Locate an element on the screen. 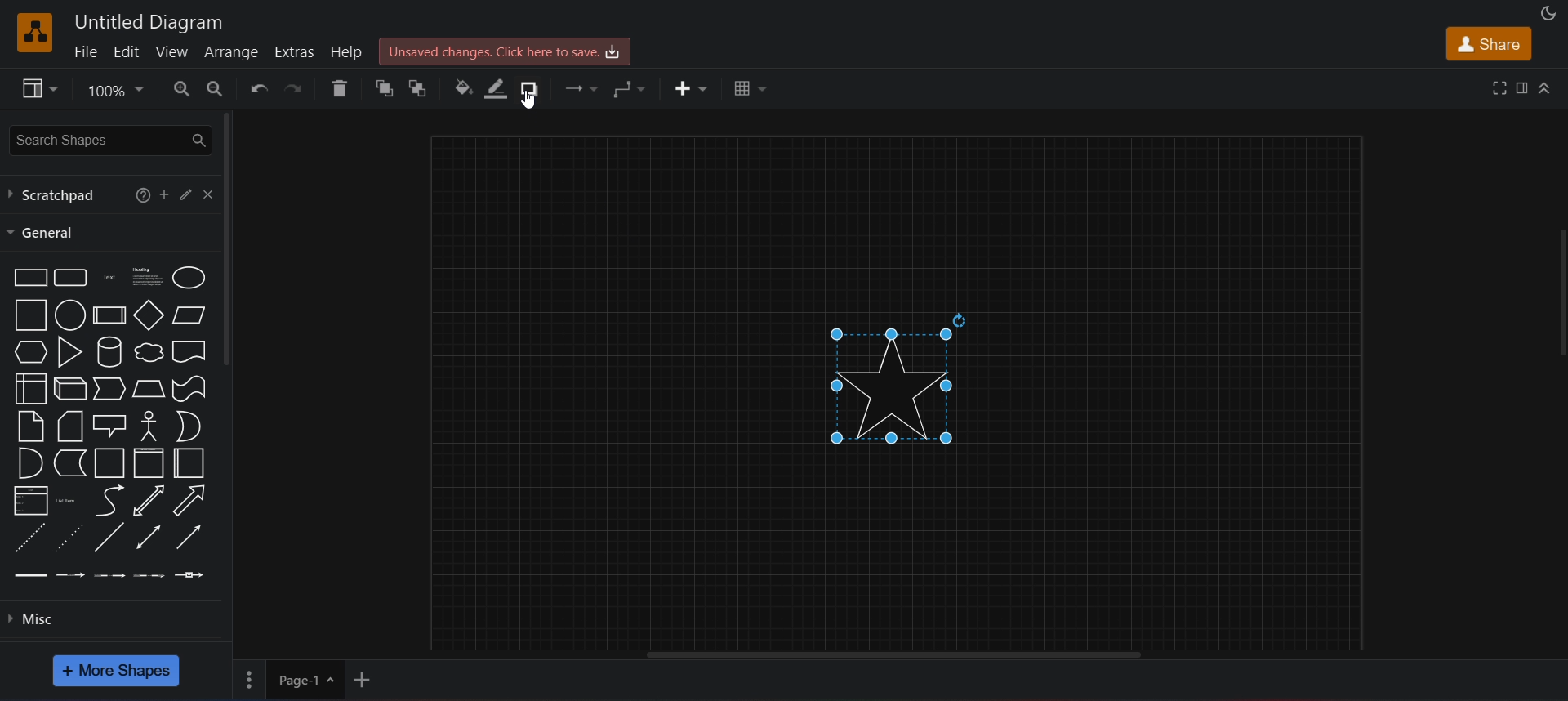 The image size is (1568, 701). view is located at coordinates (36, 88).